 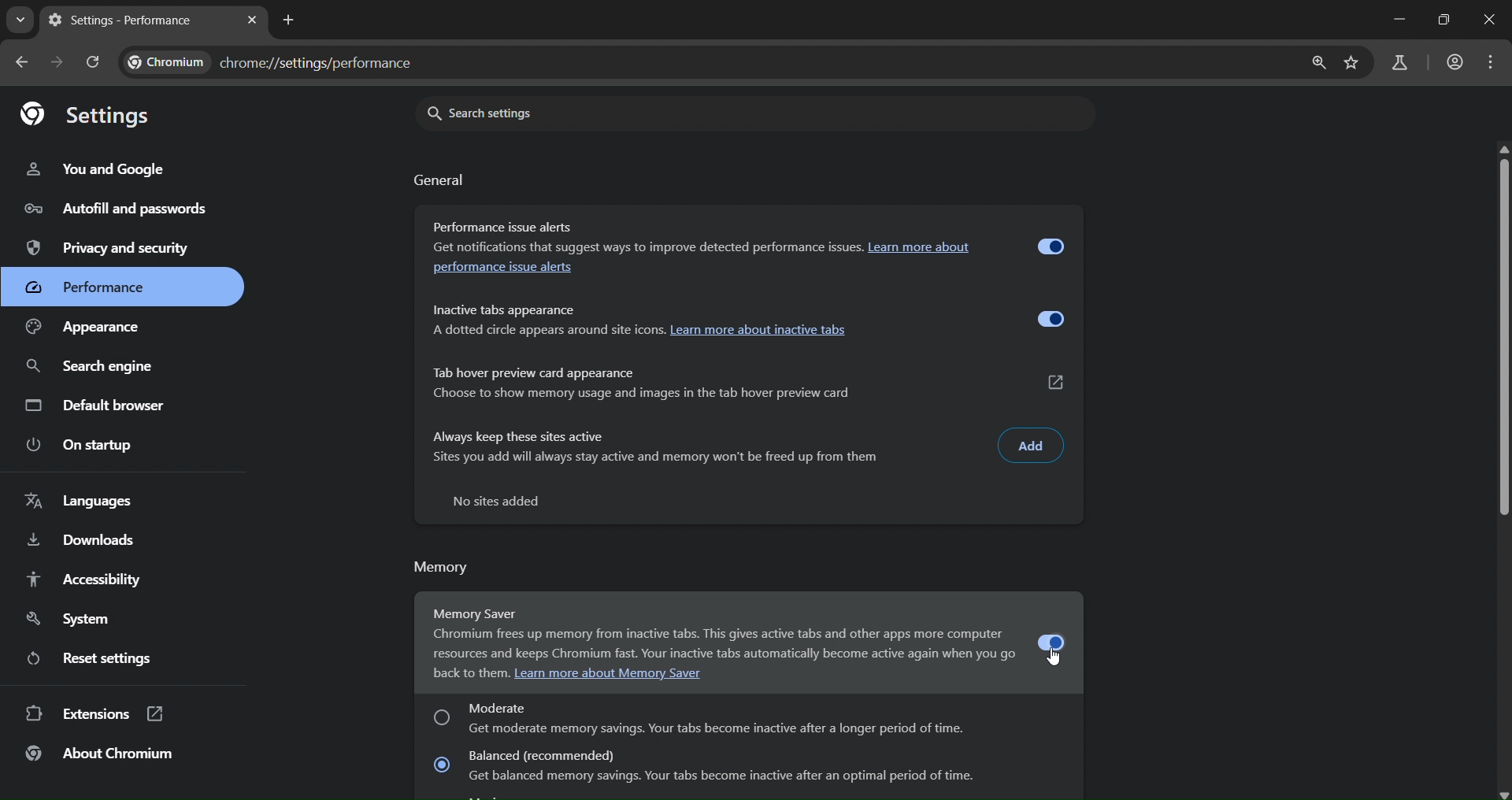 I want to click on checkbox, so click(x=440, y=764).